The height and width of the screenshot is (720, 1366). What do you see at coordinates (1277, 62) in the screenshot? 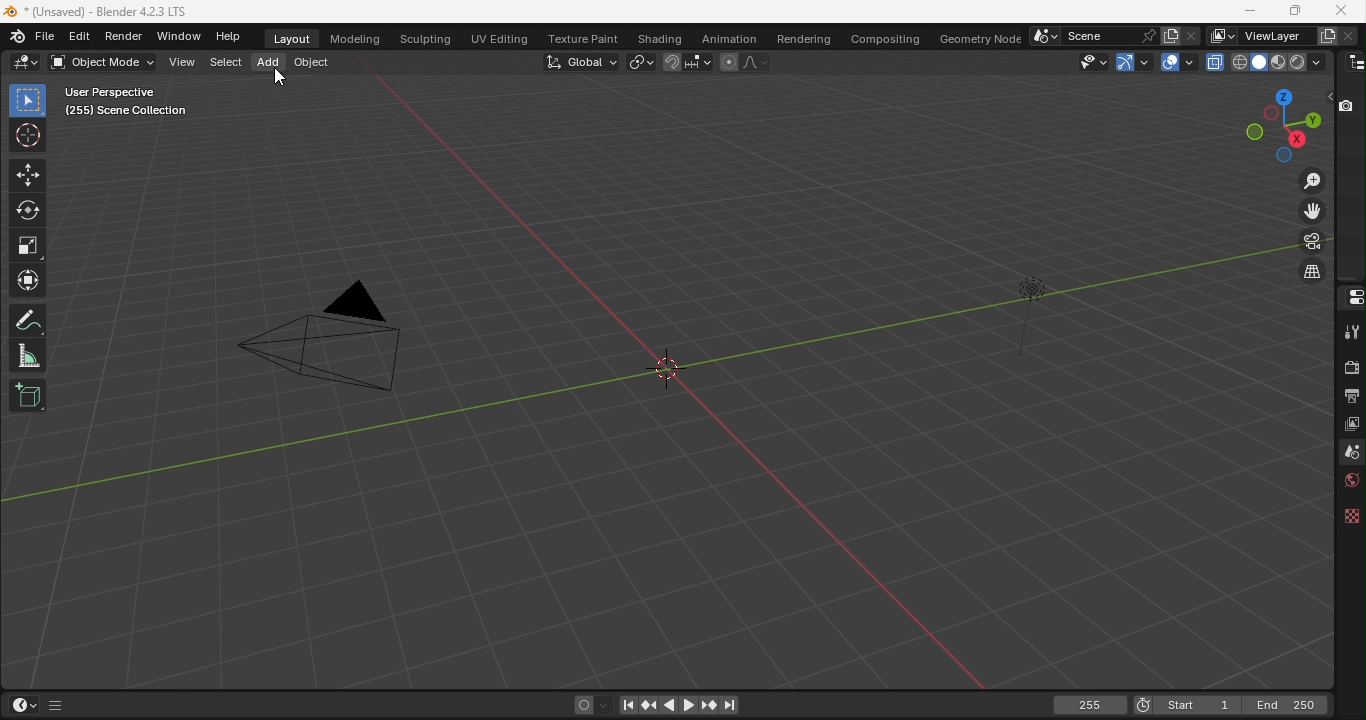
I see `Viewport shading: Material preview` at bounding box center [1277, 62].